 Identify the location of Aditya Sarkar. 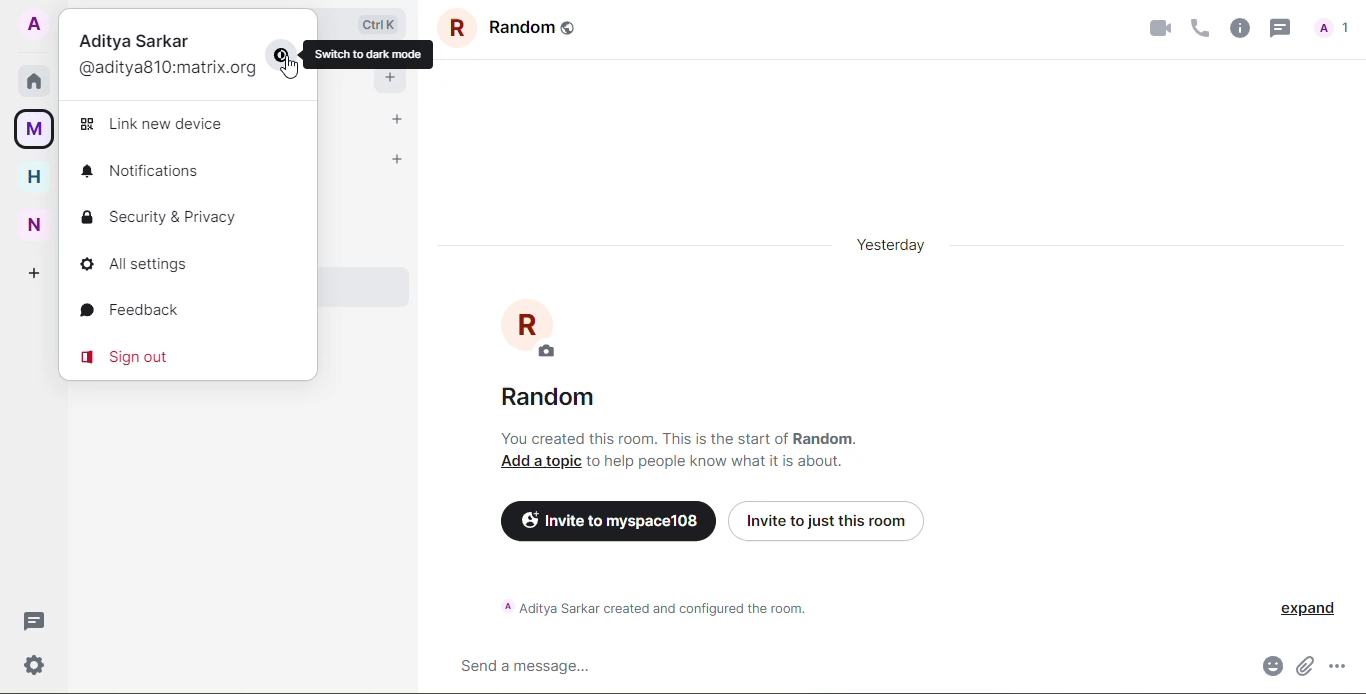
(135, 40).